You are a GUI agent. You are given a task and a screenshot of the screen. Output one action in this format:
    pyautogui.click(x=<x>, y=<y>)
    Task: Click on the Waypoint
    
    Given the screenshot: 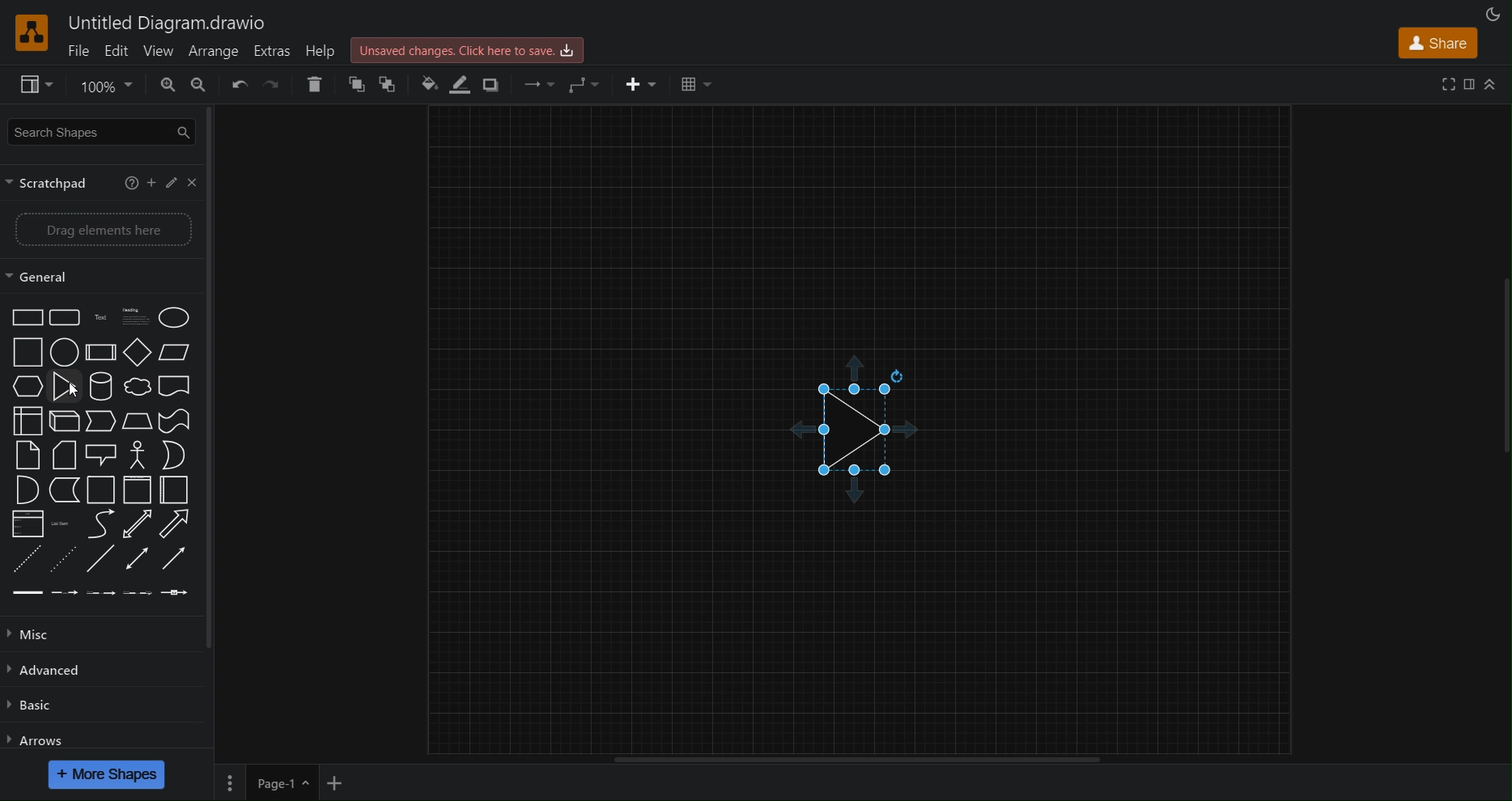 What is the action you would take?
    pyautogui.click(x=585, y=86)
    